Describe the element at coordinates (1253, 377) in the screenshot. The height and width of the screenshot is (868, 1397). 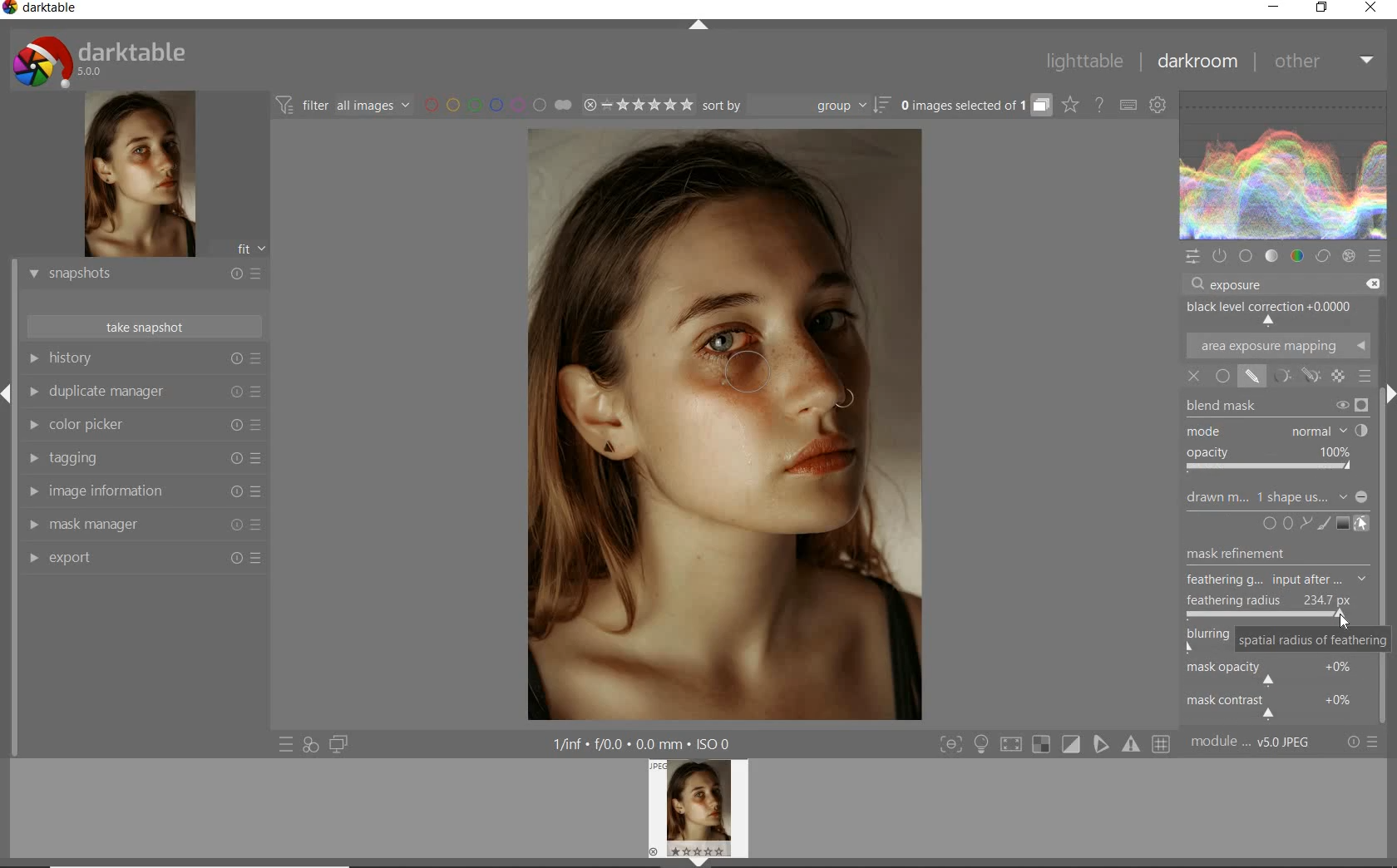
I see `drawn musk` at that location.